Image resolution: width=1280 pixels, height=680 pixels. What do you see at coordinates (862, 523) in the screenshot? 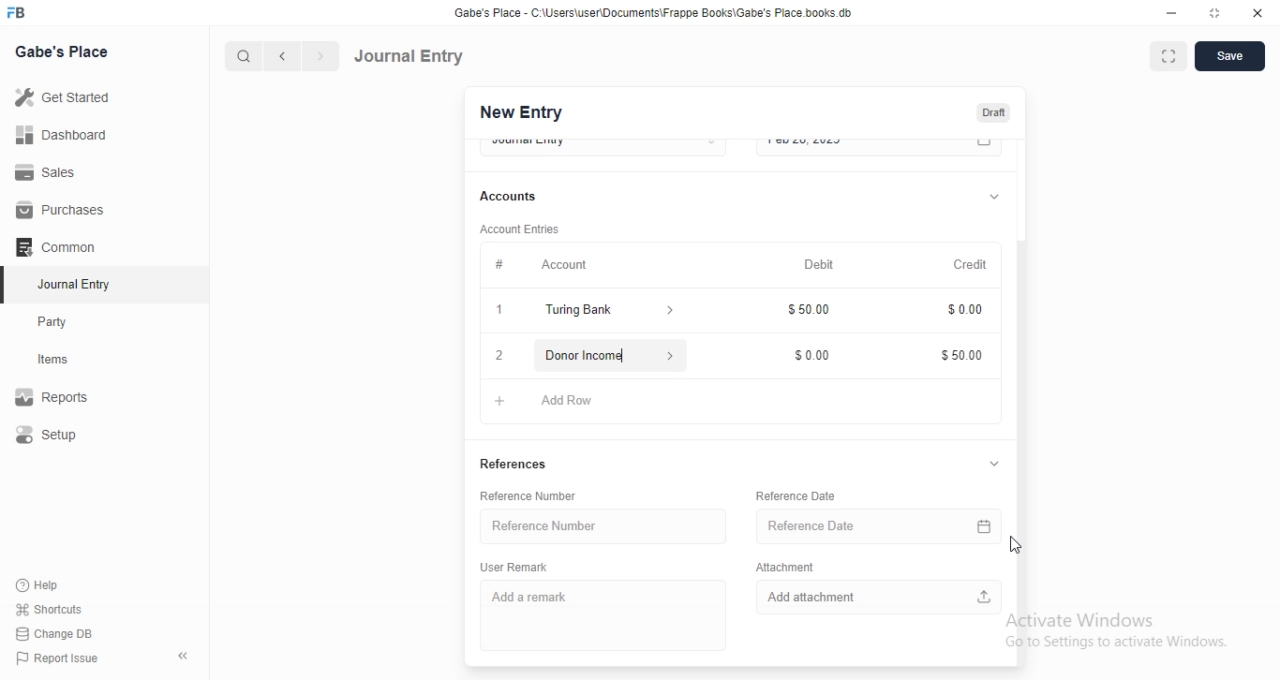
I see `Reference Date` at bounding box center [862, 523].